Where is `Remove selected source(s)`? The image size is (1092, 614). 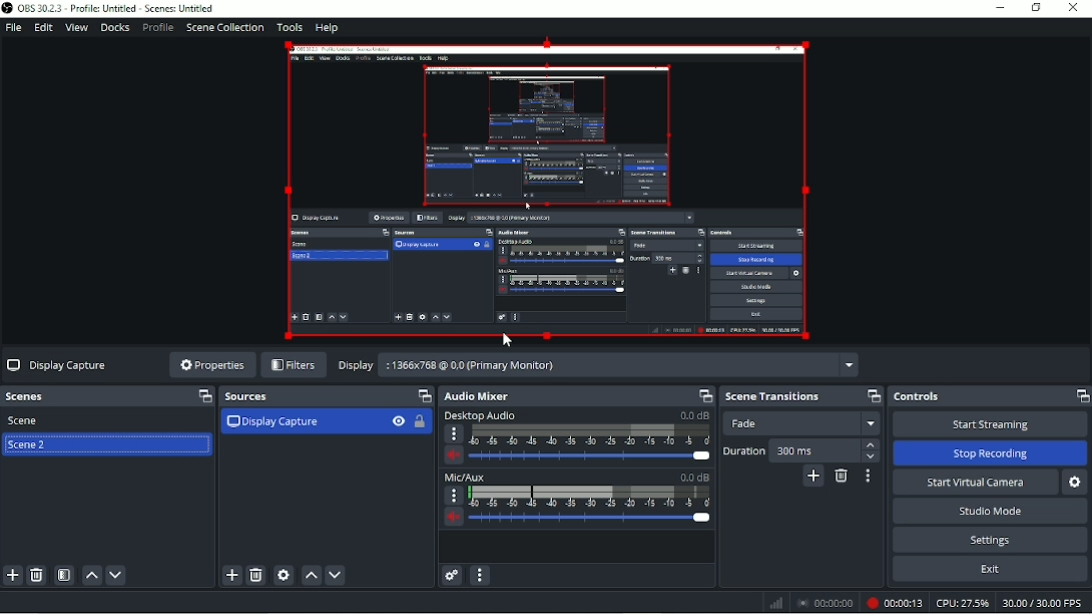 Remove selected source(s) is located at coordinates (256, 576).